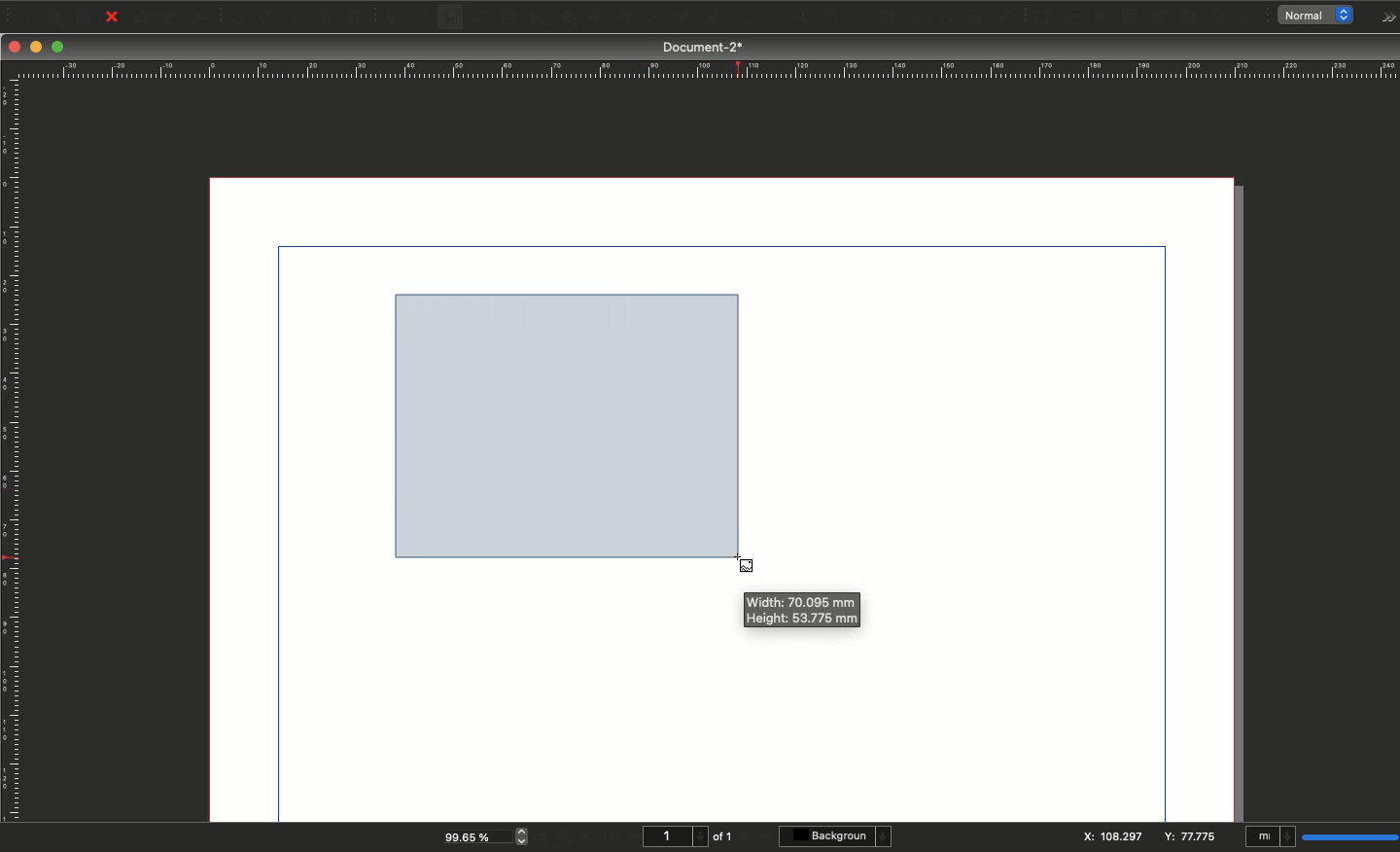  Describe the element at coordinates (838, 836) in the screenshot. I see `Background` at that location.